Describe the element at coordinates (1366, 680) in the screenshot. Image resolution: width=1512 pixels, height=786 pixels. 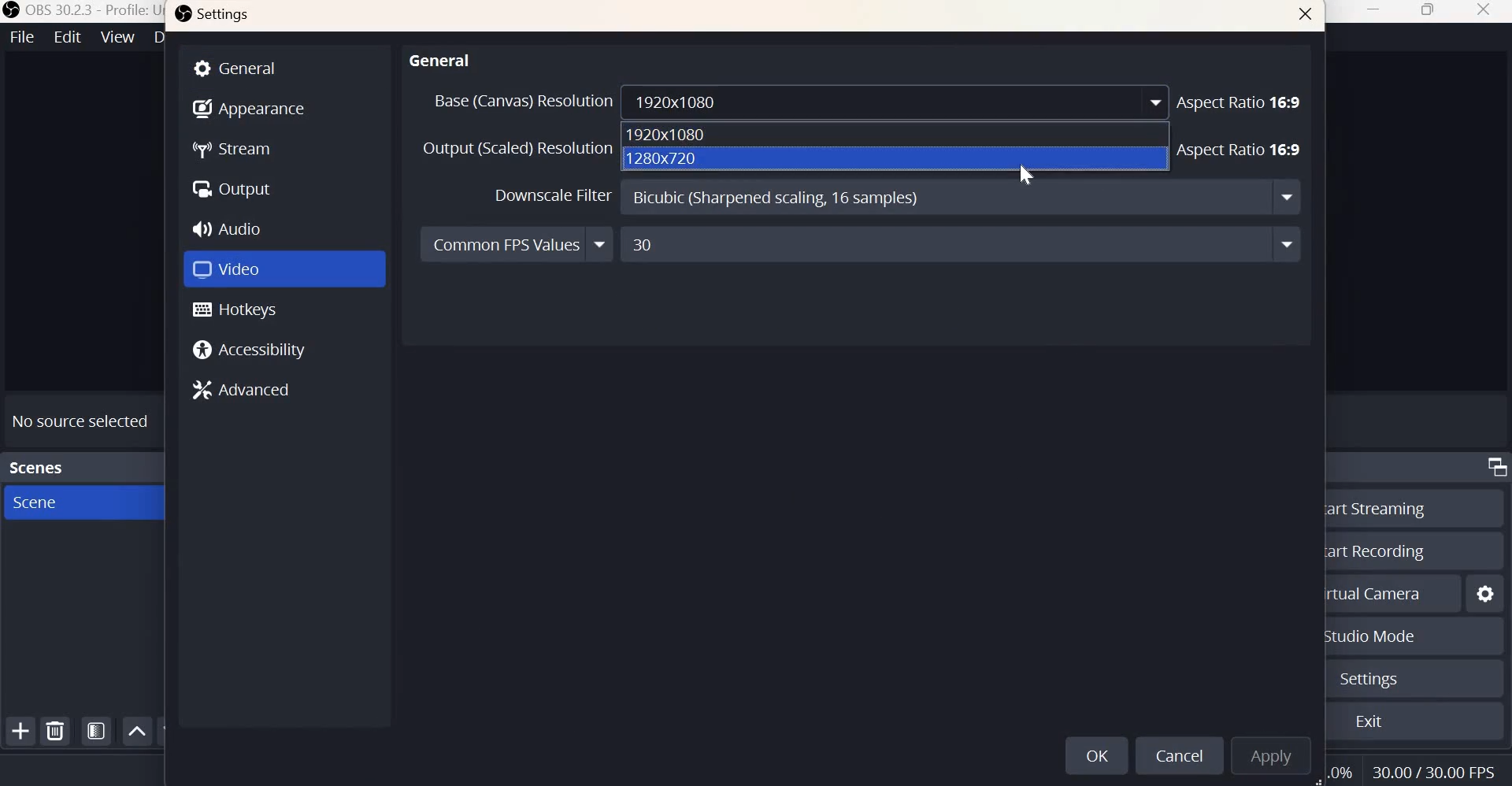
I see `Settings` at that location.